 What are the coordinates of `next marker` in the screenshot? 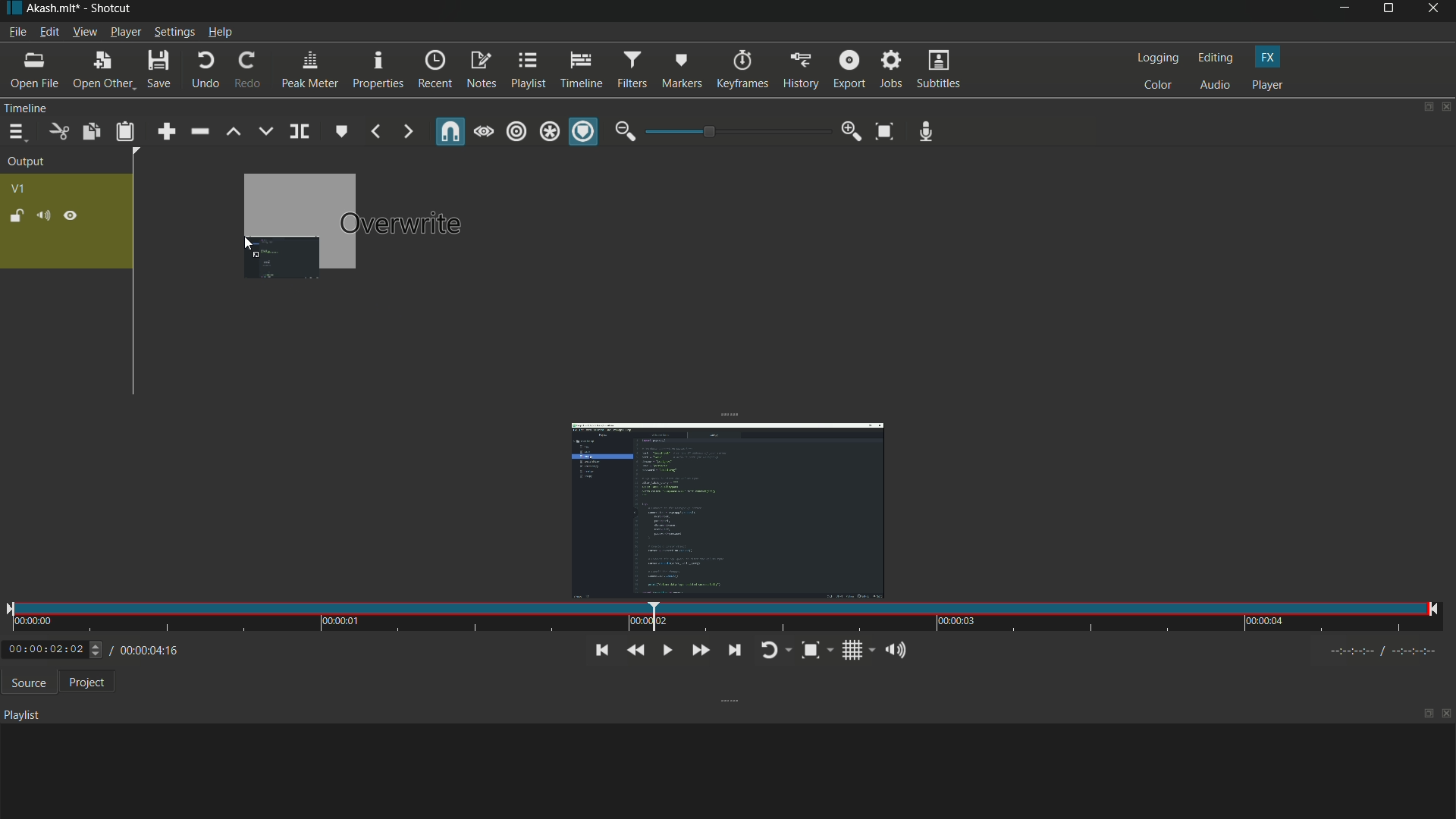 It's located at (407, 133).